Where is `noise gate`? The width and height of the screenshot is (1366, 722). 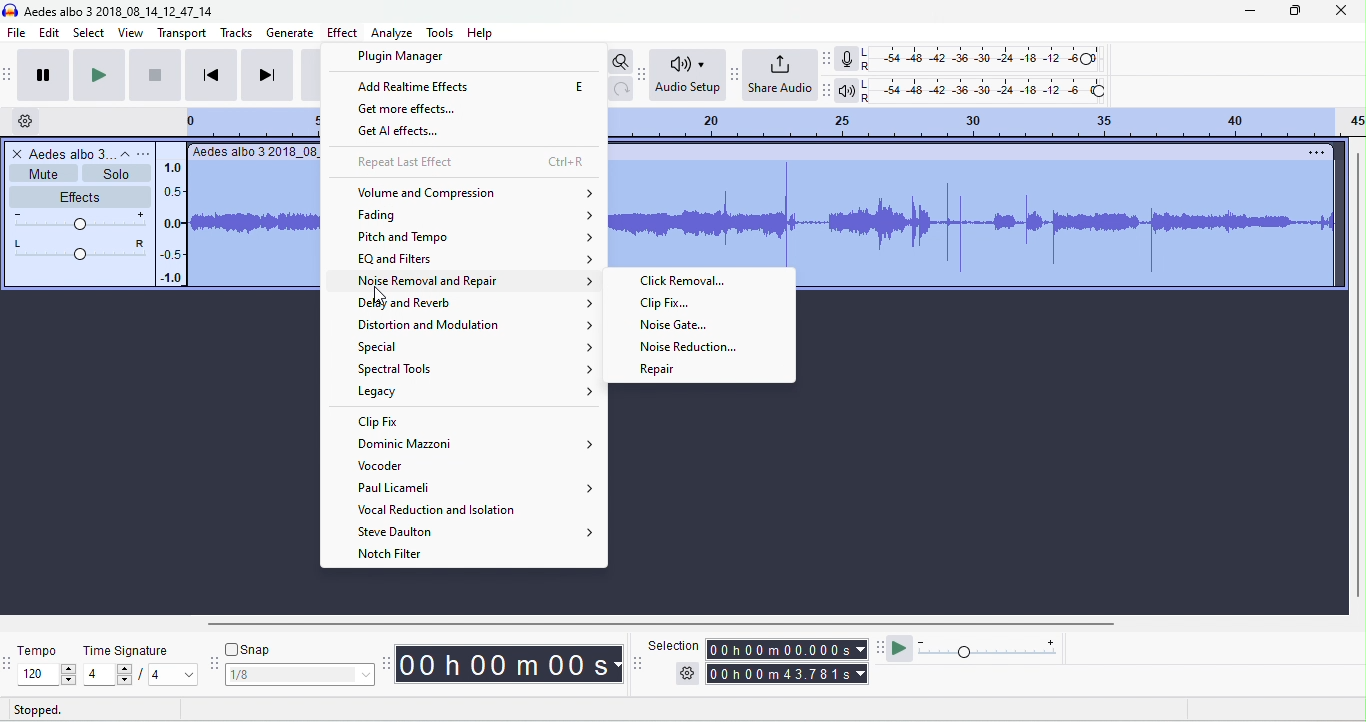
noise gate is located at coordinates (678, 327).